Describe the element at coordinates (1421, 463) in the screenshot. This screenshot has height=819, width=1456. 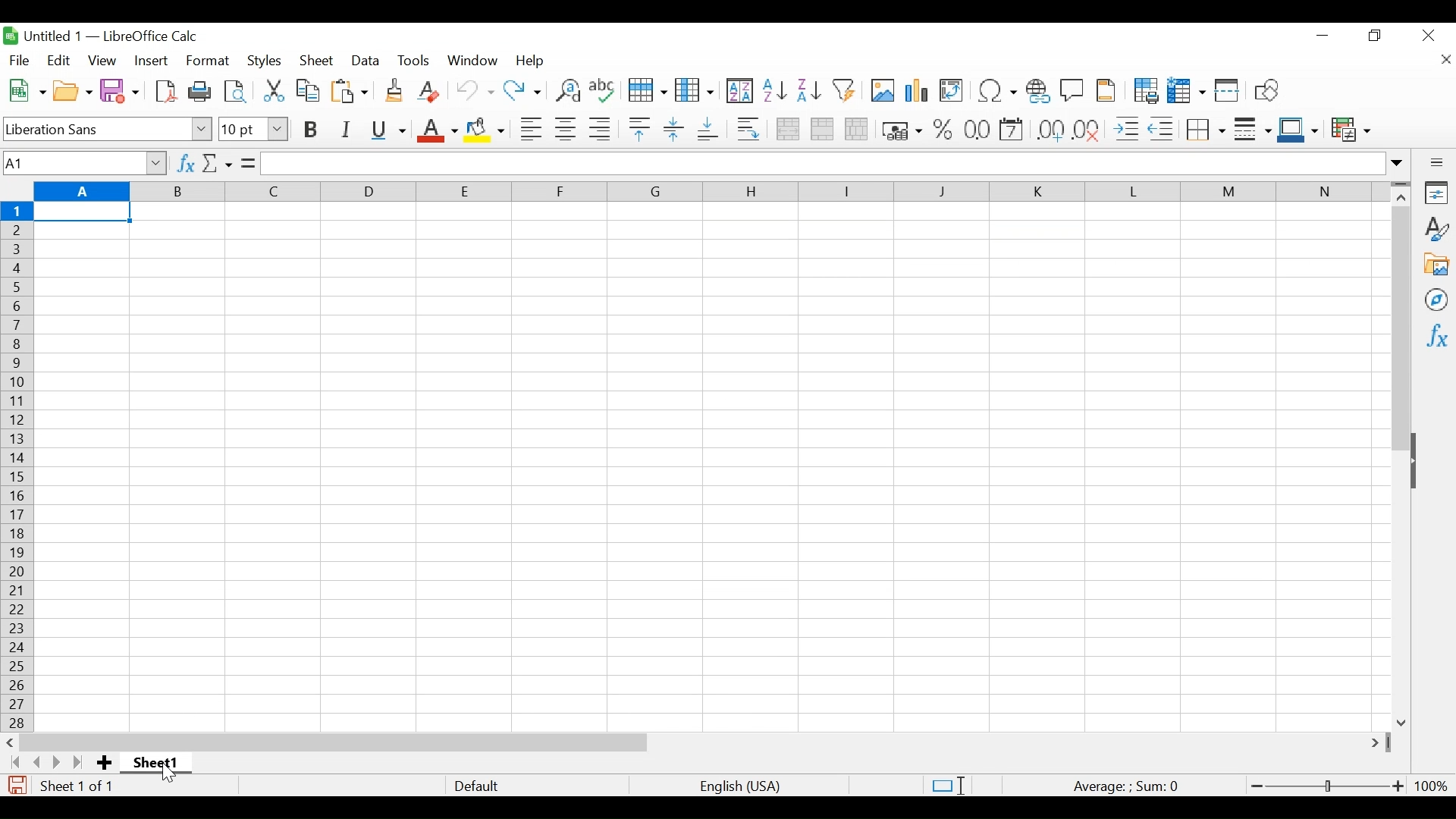
I see `Show/Hide Pane` at that location.